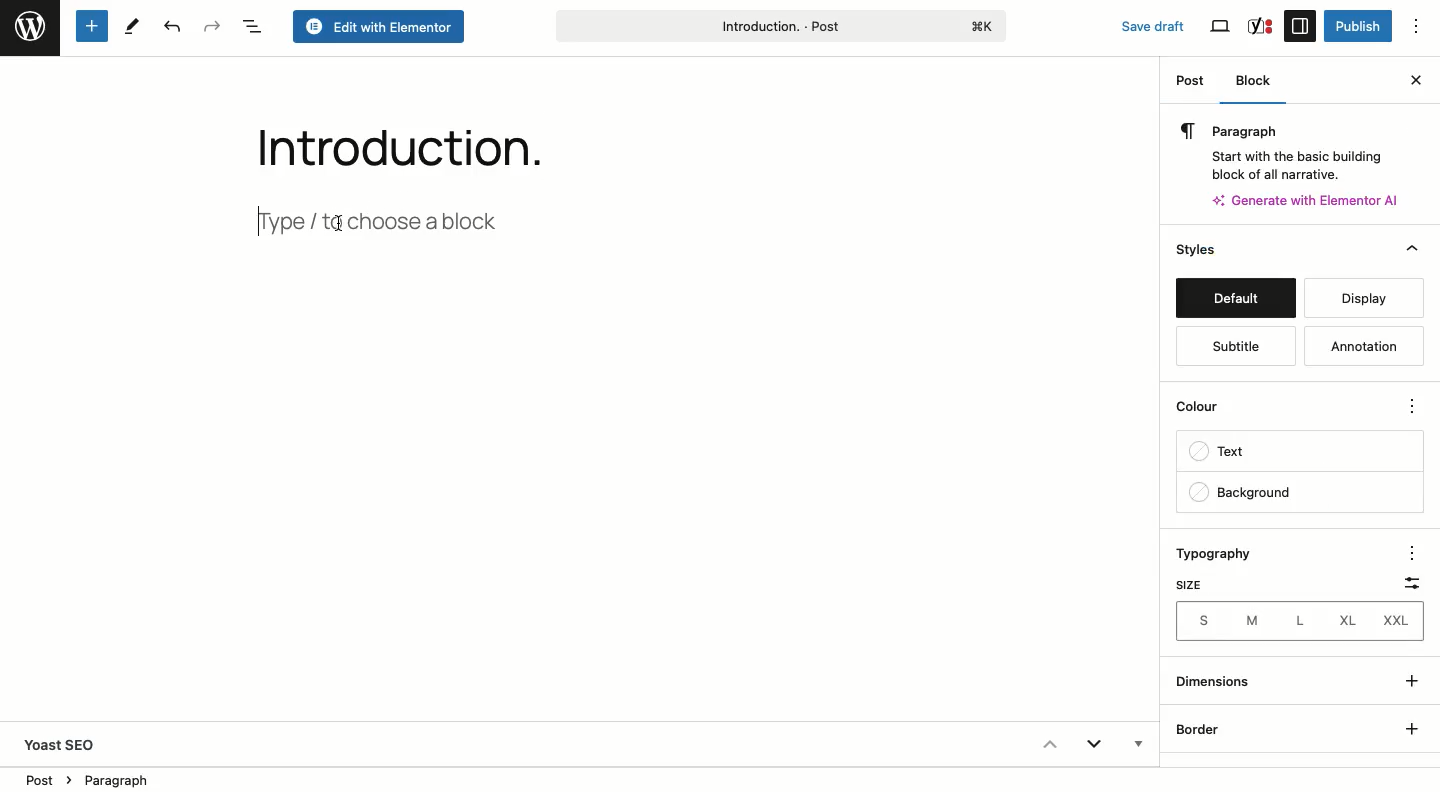 The width and height of the screenshot is (1440, 792). Describe the element at coordinates (1406, 579) in the screenshot. I see `Scale` at that location.